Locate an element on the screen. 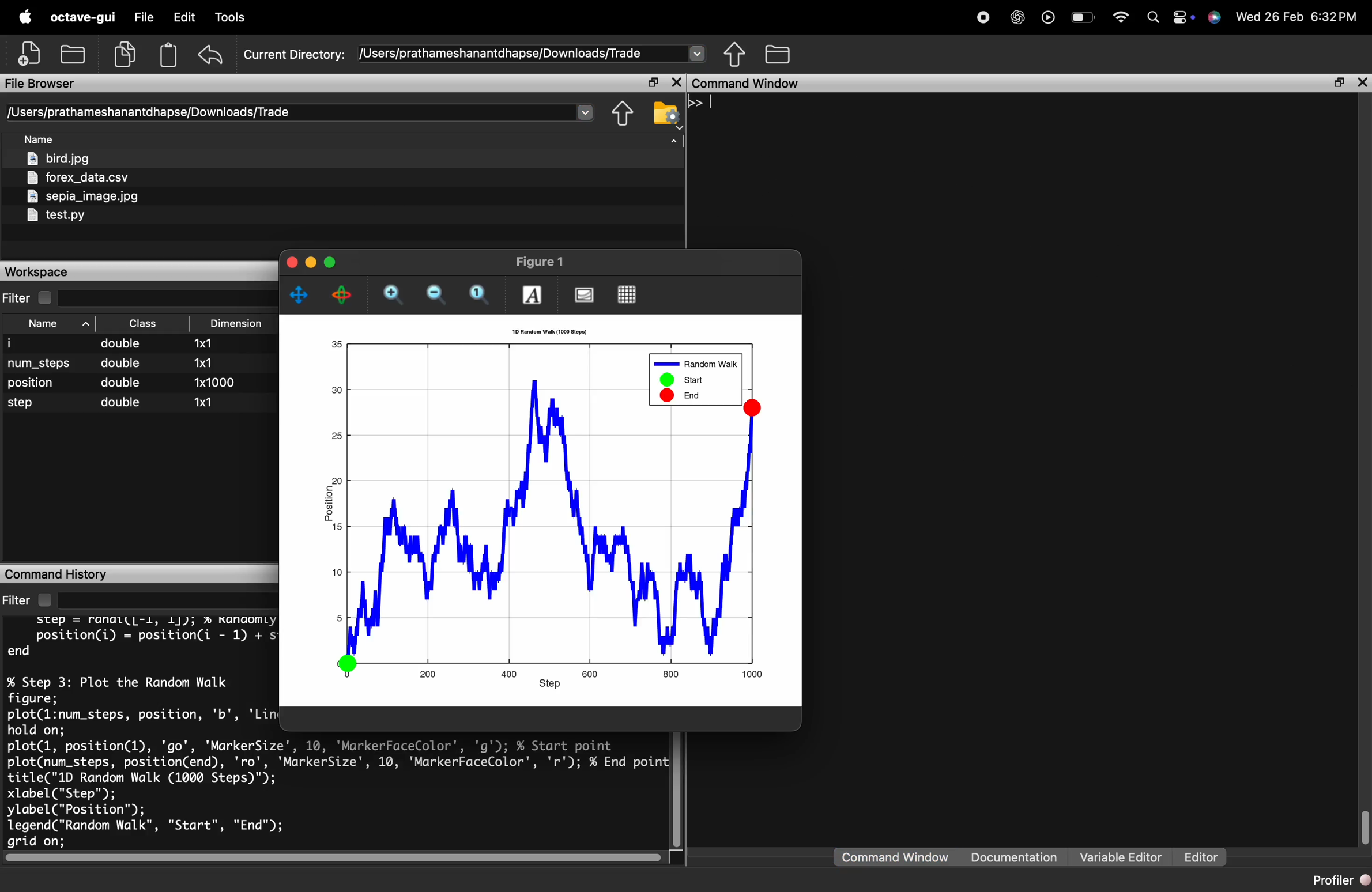 Image resolution: width=1372 pixels, height=892 pixels. text is located at coordinates (533, 294).